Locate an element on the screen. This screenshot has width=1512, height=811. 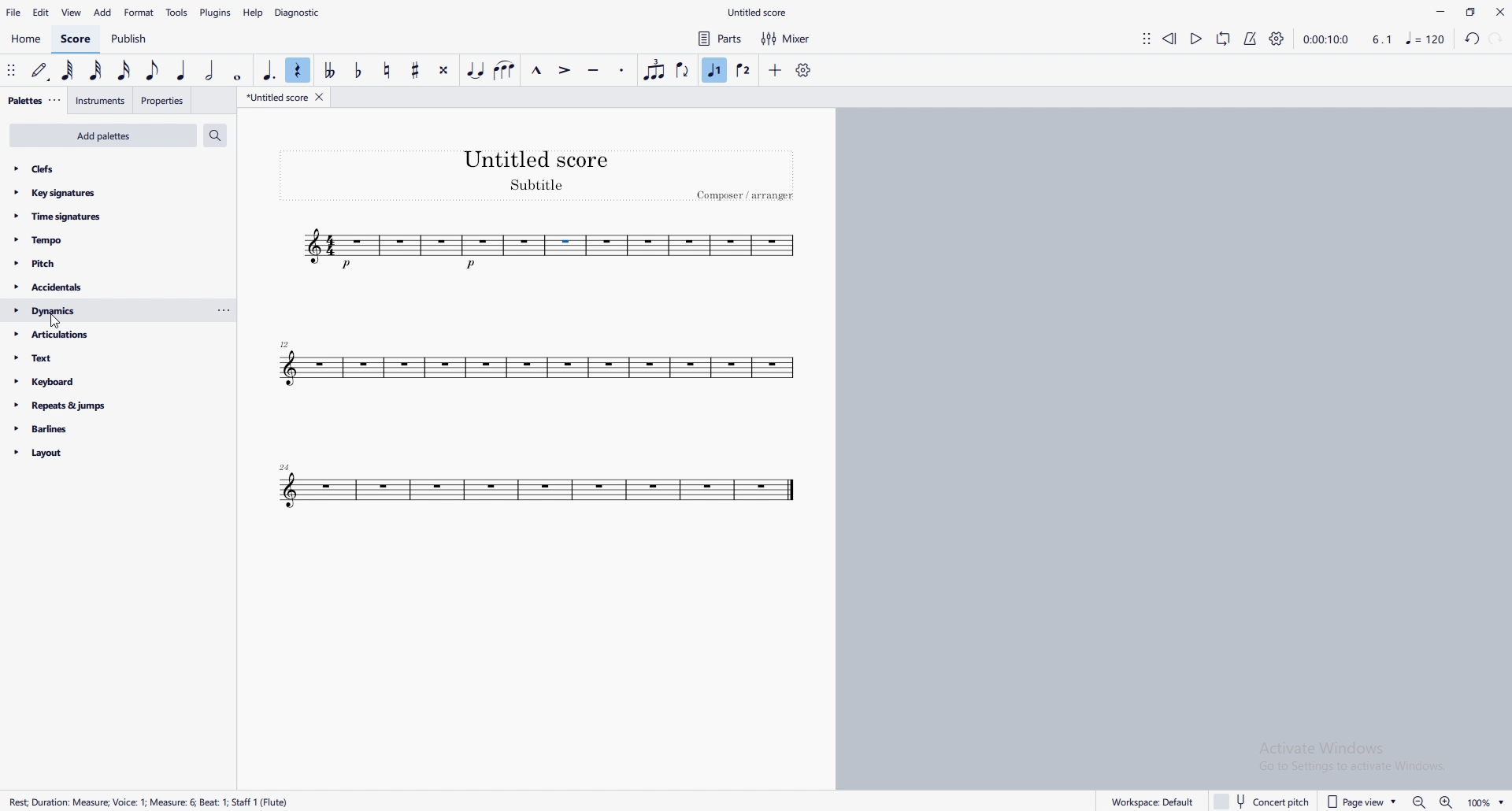
score is located at coordinates (78, 39).